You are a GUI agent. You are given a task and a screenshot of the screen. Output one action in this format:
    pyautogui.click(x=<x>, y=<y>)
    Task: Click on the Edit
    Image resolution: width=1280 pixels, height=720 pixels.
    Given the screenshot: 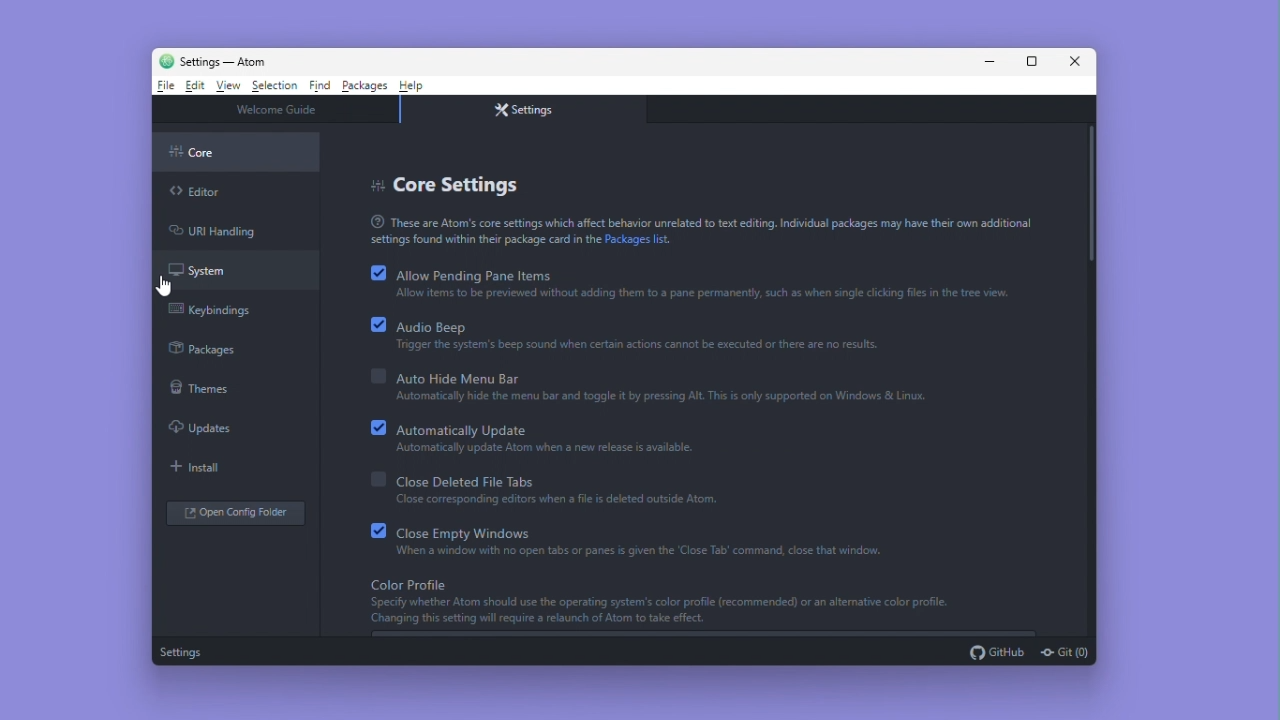 What is the action you would take?
    pyautogui.click(x=196, y=86)
    